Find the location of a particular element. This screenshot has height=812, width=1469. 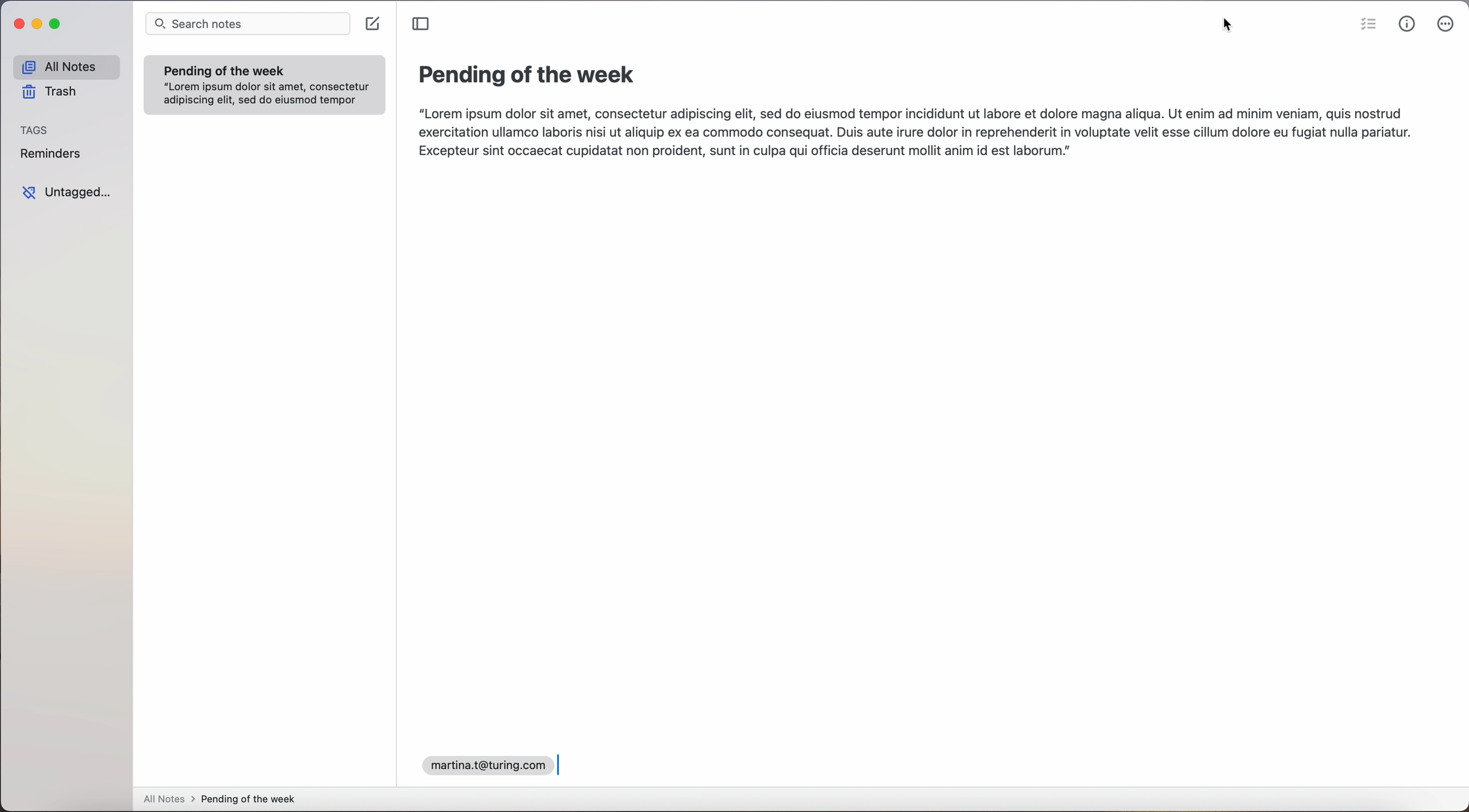

metrics is located at coordinates (1407, 24).